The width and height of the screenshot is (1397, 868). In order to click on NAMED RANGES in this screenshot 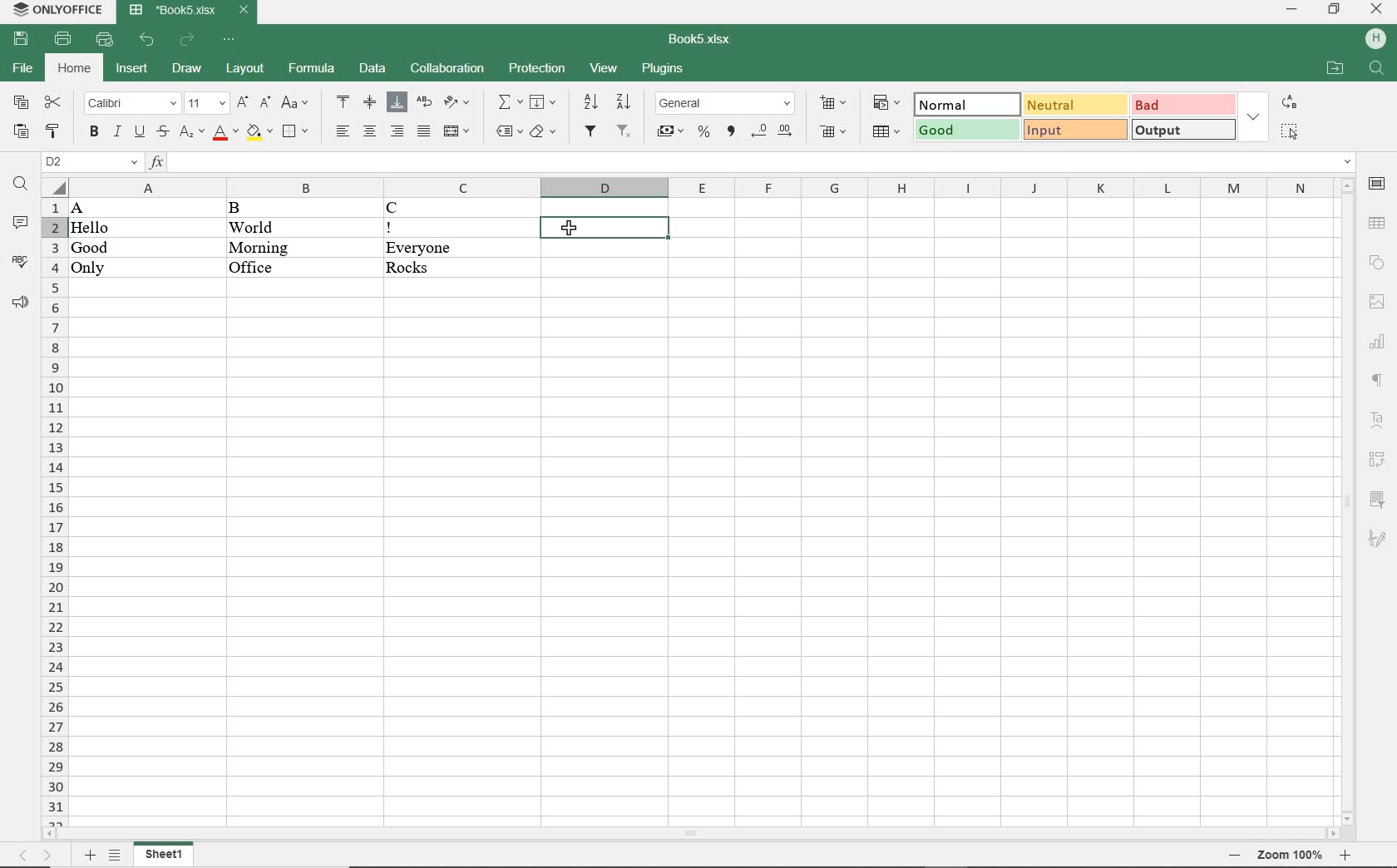, I will do `click(506, 131)`.